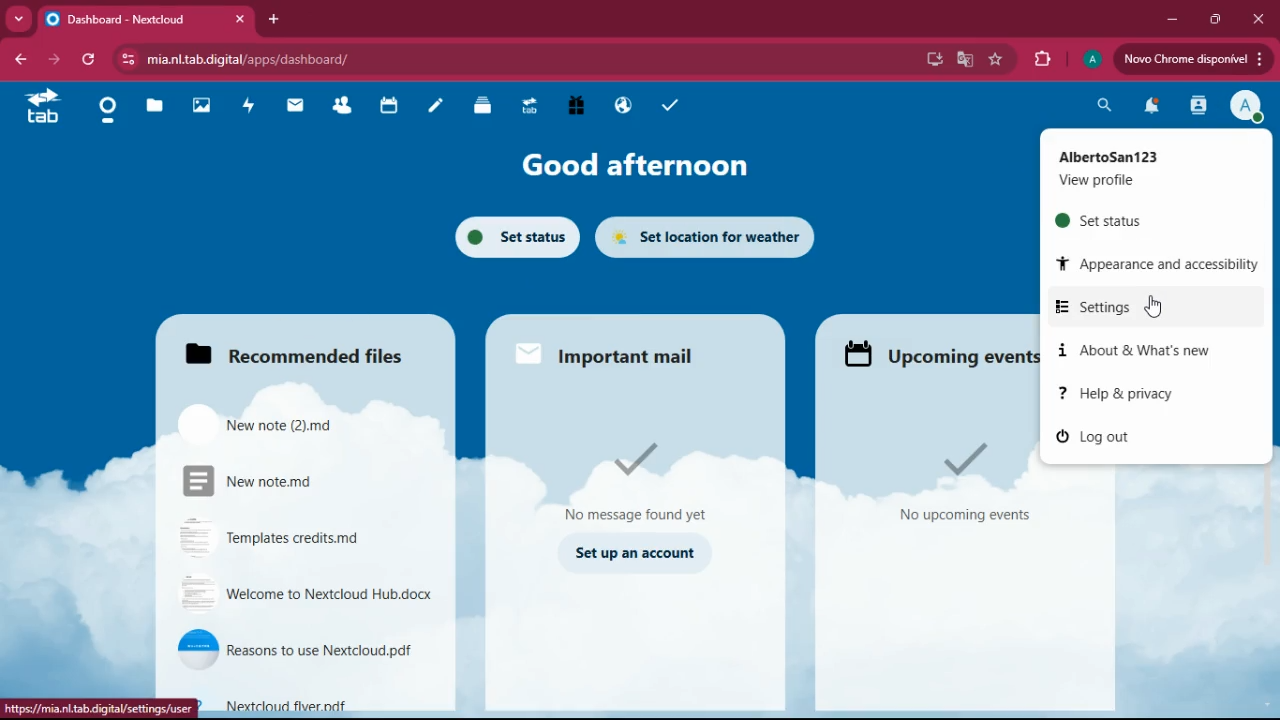 The width and height of the screenshot is (1280, 720). Describe the element at coordinates (42, 110) in the screenshot. I see `tab` at that location.